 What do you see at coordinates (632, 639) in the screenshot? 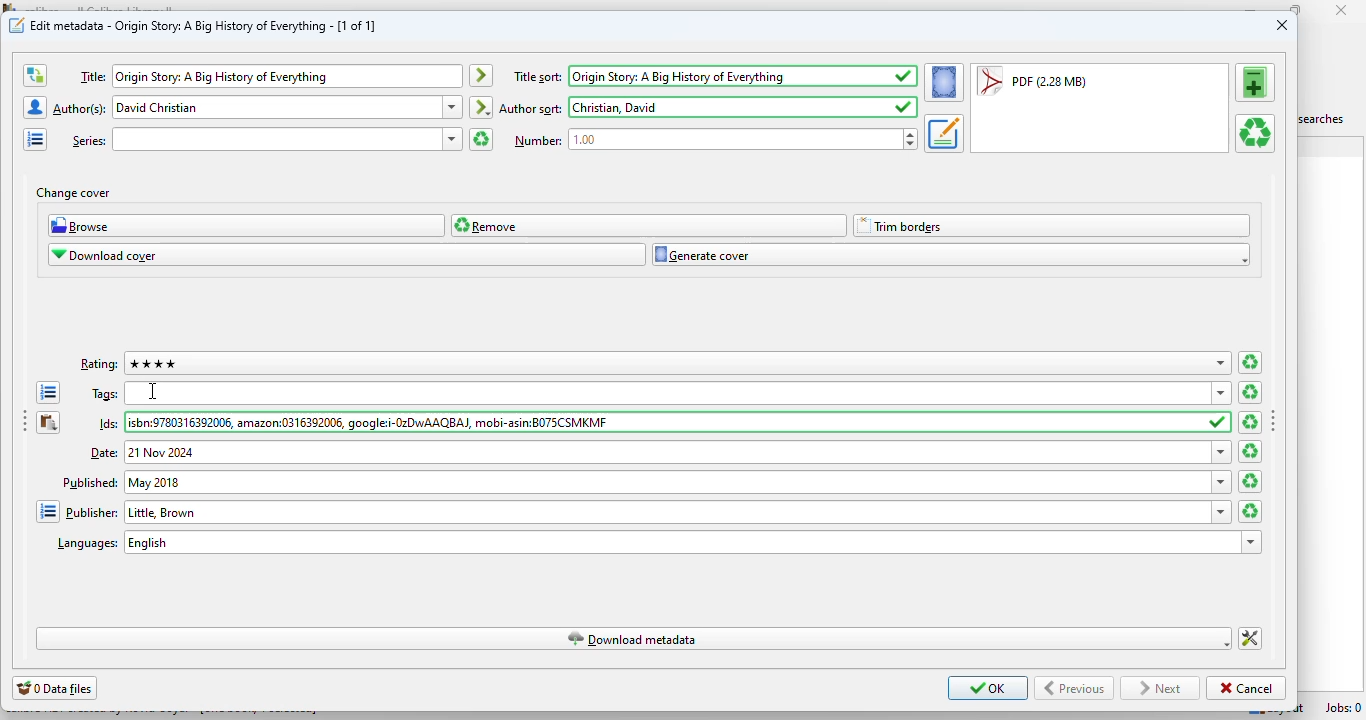
I see `download metadata` at bounding box center [632, 639].